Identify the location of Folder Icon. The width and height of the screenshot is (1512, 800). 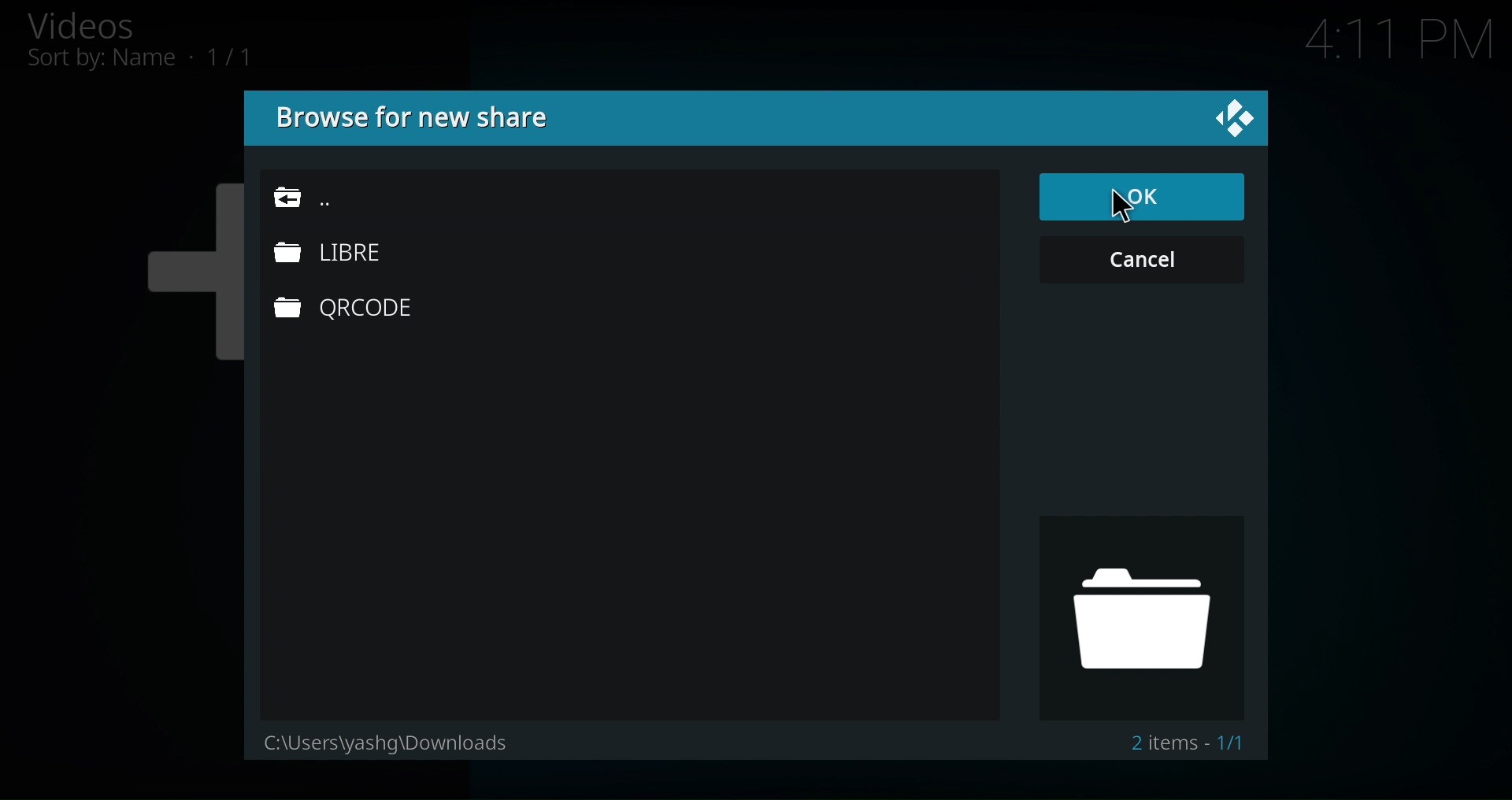
(1012, 616).